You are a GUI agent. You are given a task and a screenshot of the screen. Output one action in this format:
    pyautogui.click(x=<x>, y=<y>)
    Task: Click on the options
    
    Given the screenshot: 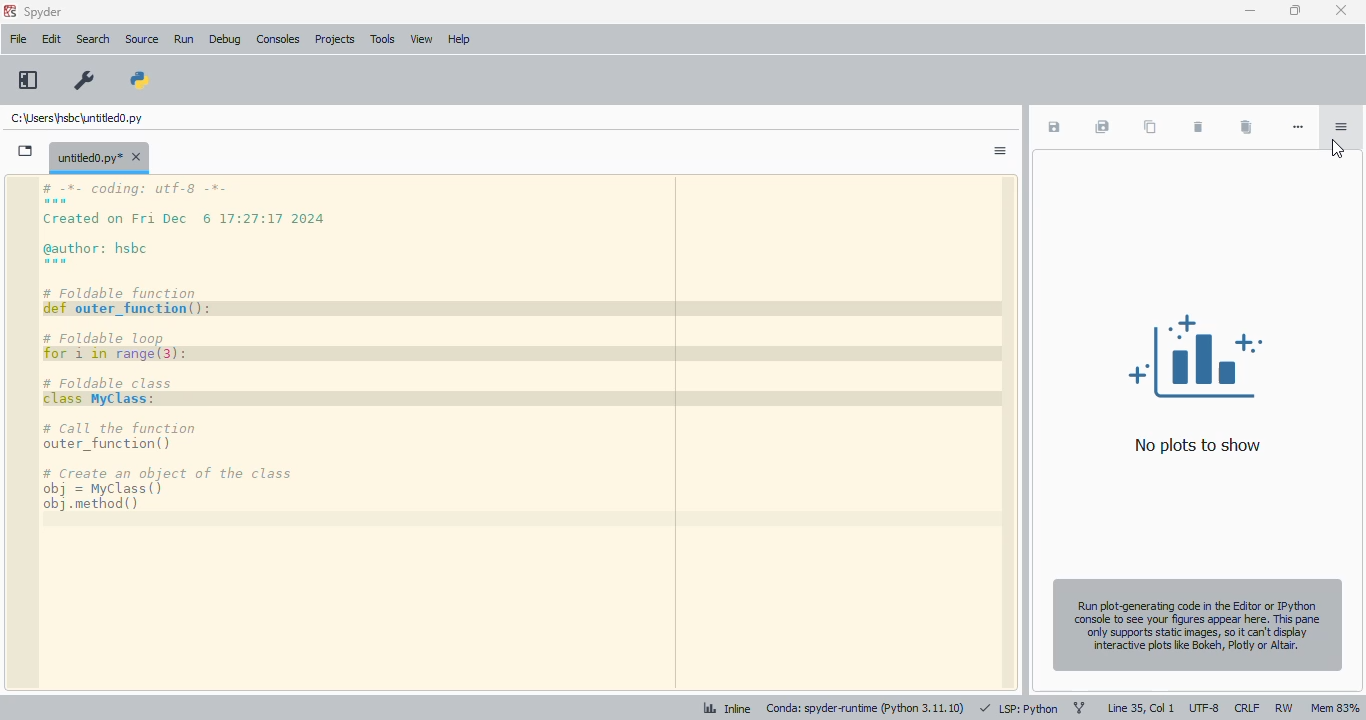 What is the action you would take?
    pyautogui.click(x=999, y=151)
    